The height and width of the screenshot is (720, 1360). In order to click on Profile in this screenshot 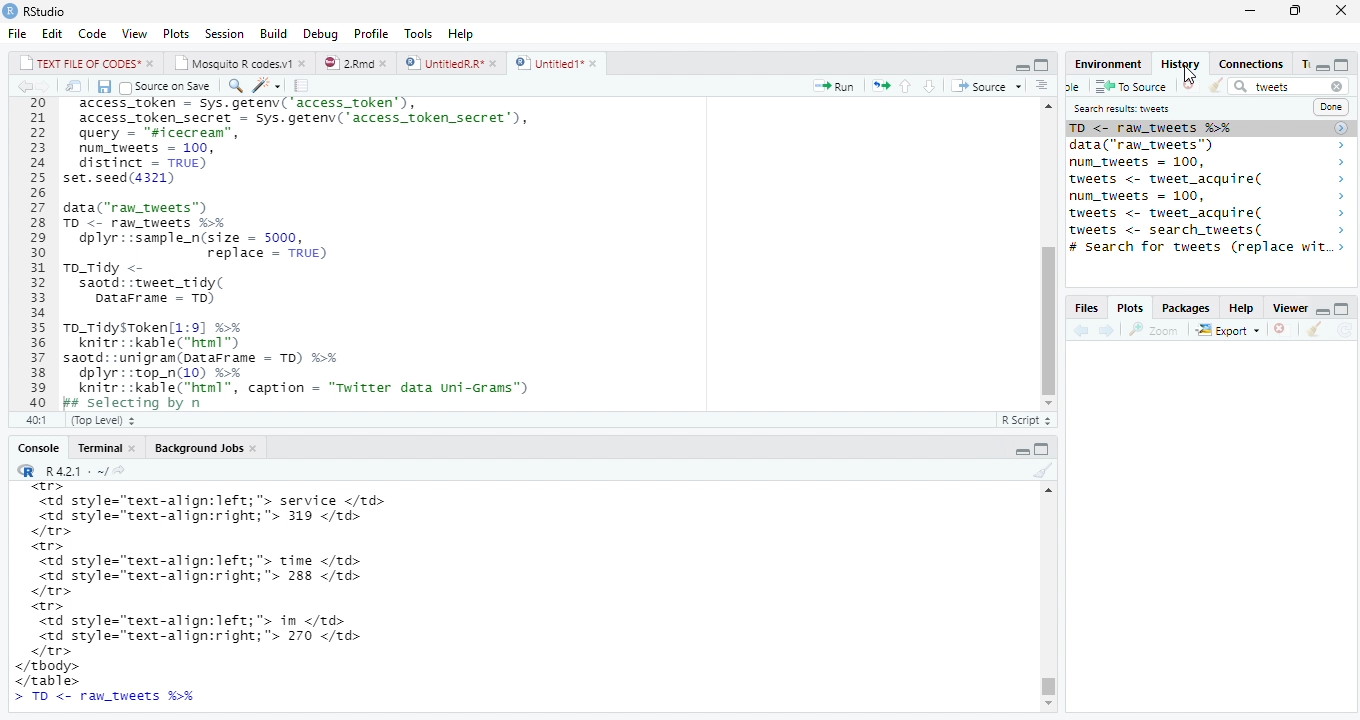, I will do `click(371, 32)`.